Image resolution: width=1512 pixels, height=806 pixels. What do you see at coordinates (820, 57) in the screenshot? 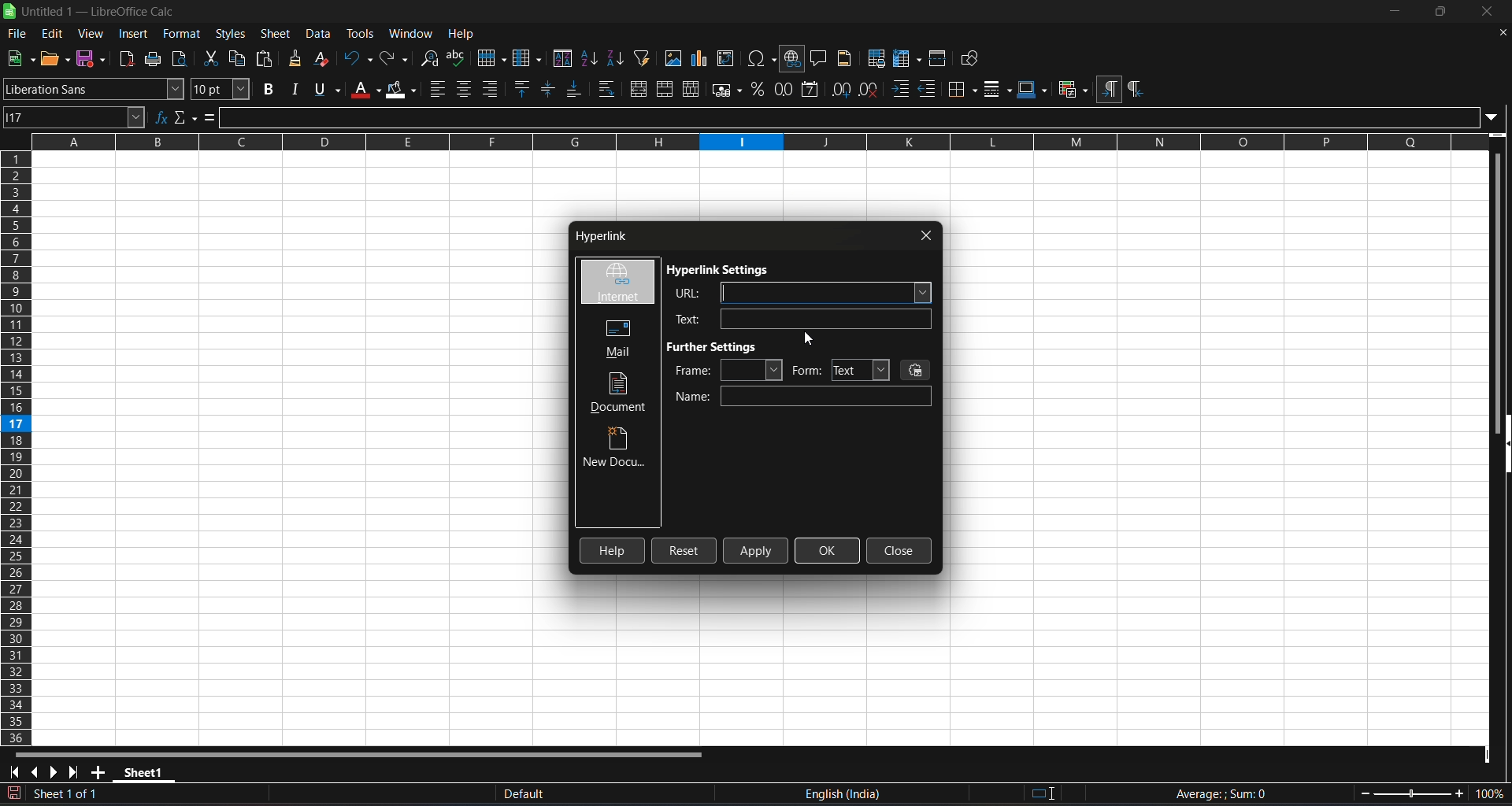
I see `insert comment` at bounding box center [820, 57].